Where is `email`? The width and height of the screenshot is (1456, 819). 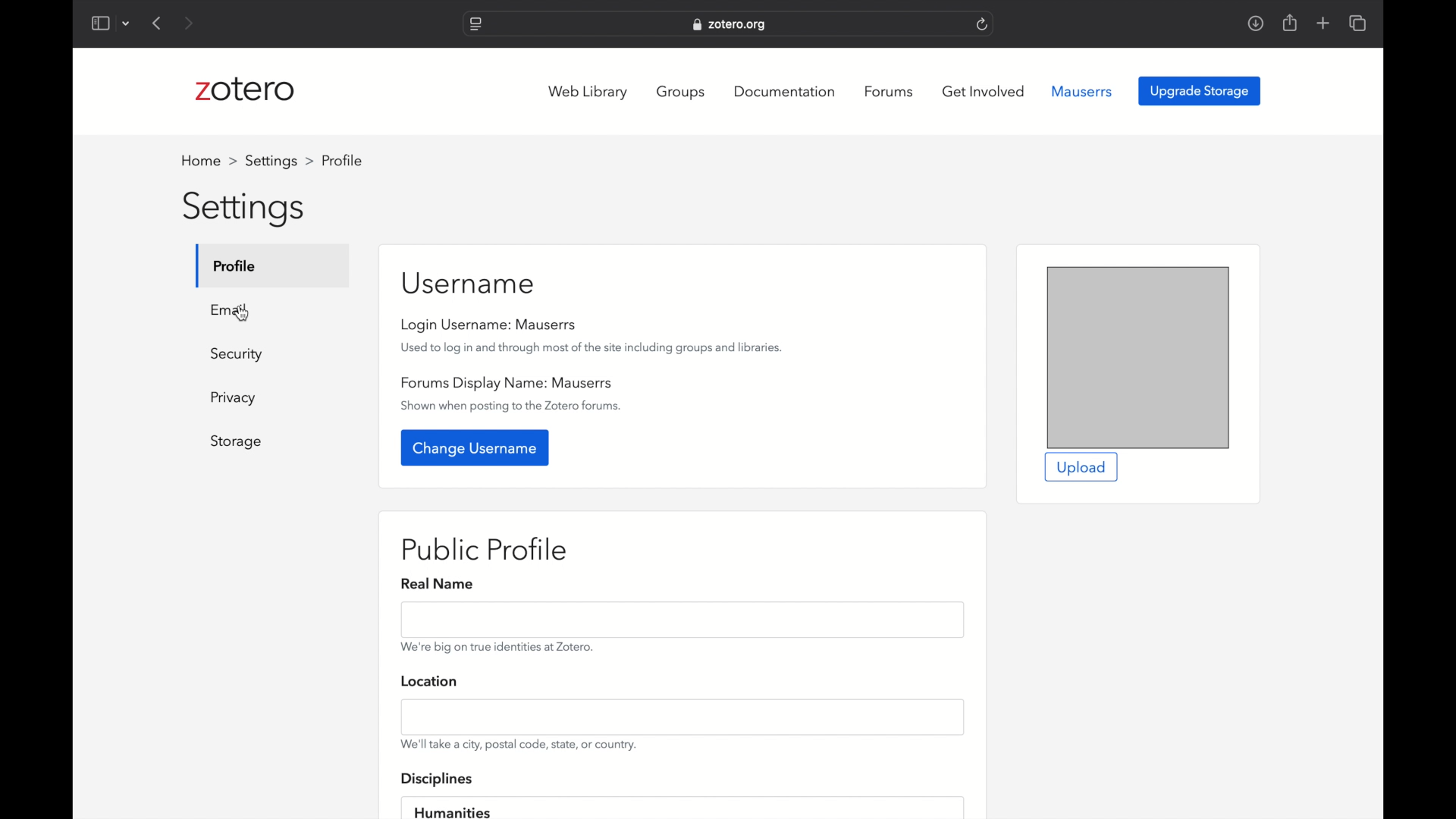
email is located at coordinates (231, 309).